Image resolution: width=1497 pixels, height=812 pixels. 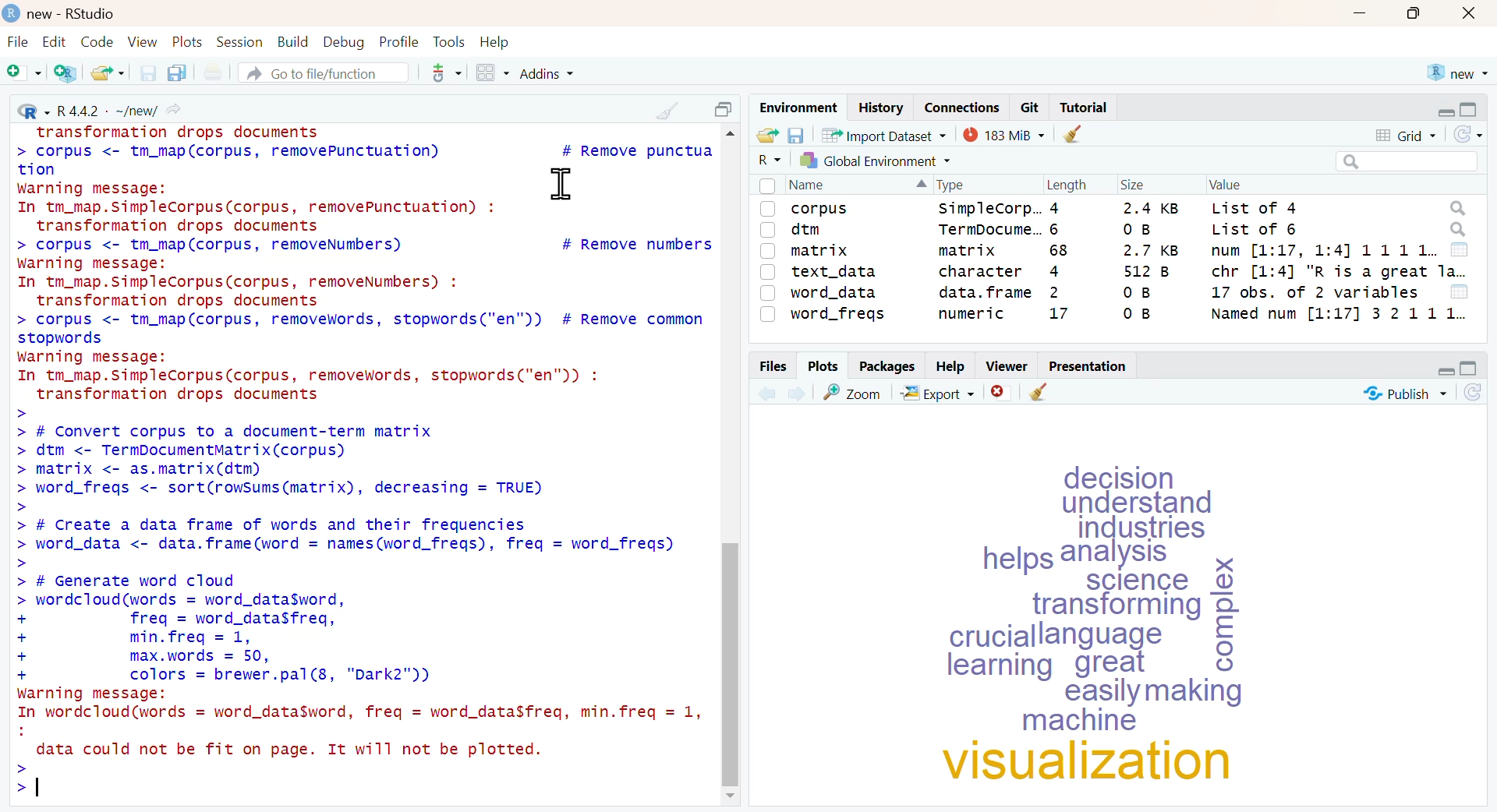 I want to click on R, so click(x=768, y=160).